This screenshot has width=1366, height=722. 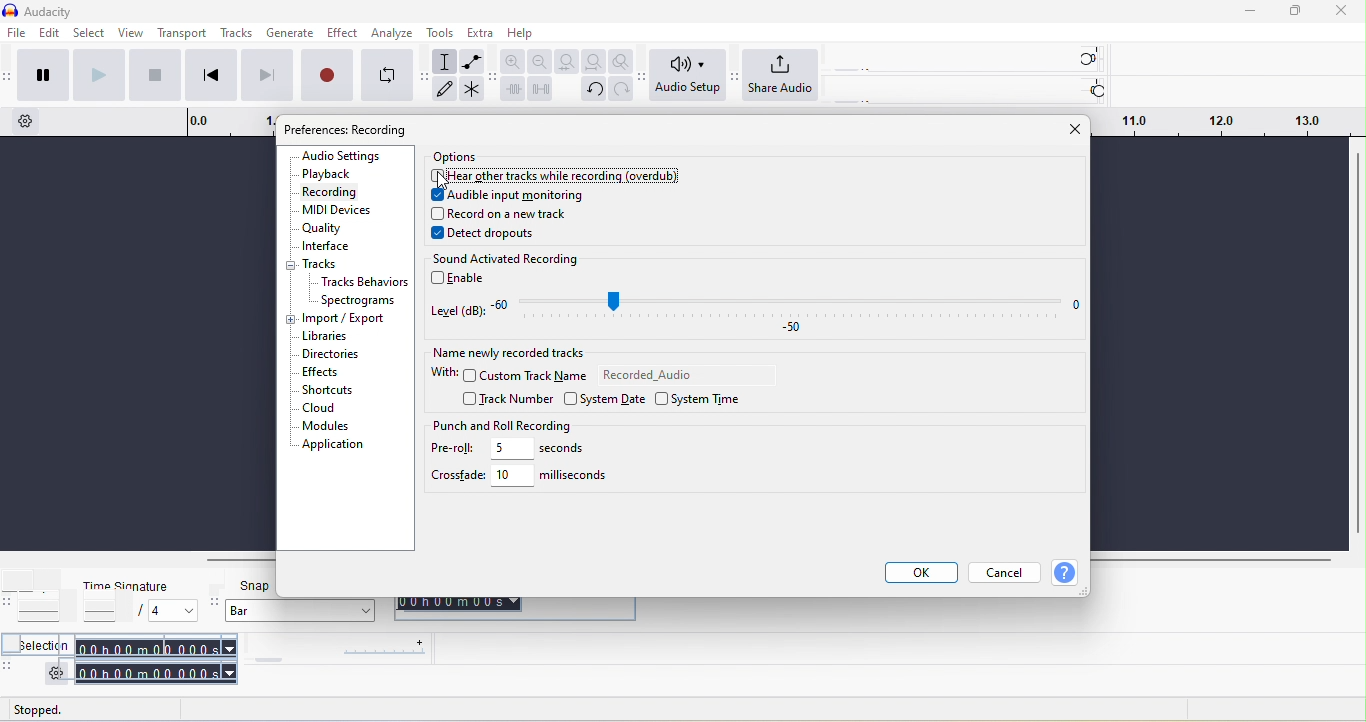 I want to click on pause, so click(x=45, y=75).